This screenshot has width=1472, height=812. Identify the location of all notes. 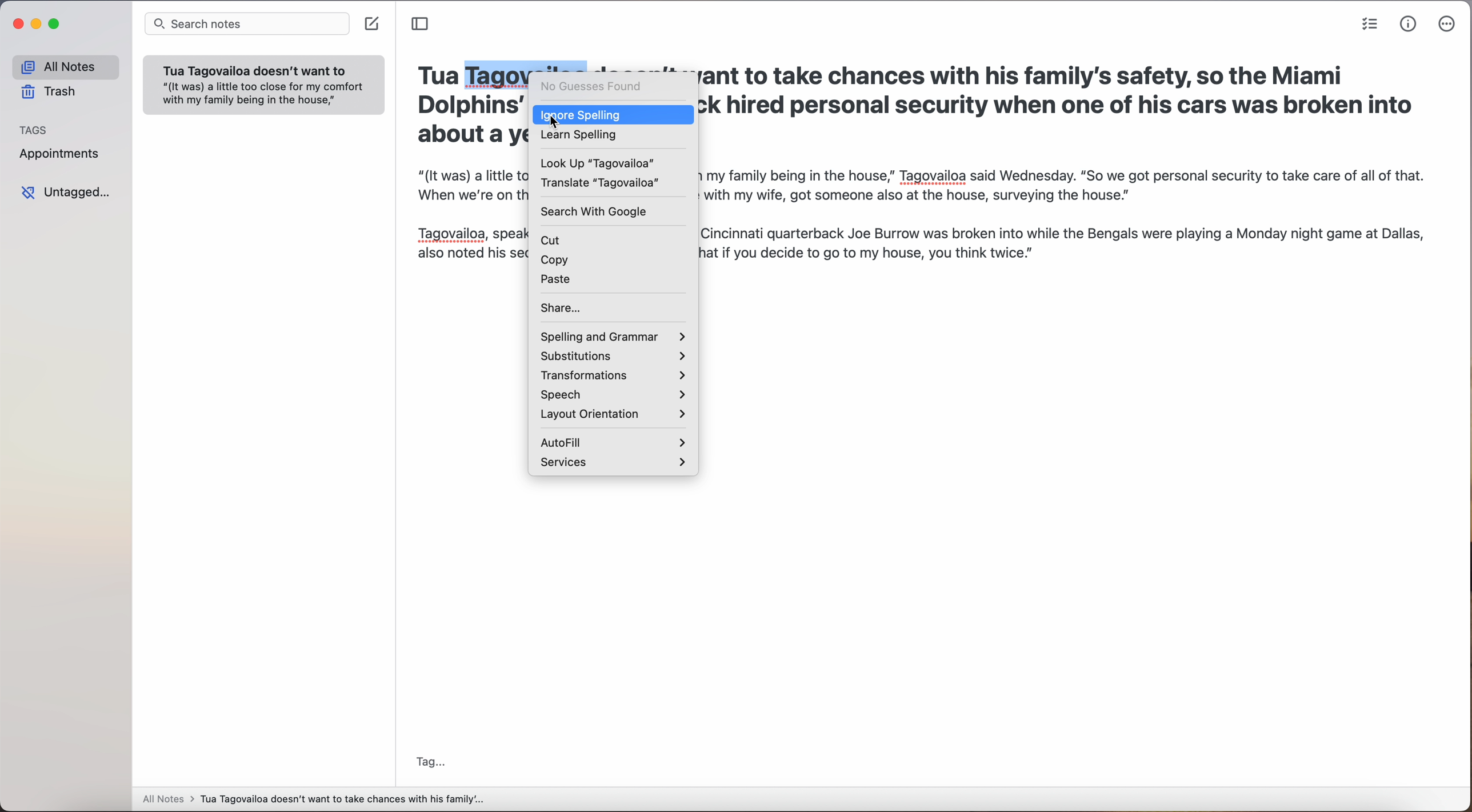
(65, 66).